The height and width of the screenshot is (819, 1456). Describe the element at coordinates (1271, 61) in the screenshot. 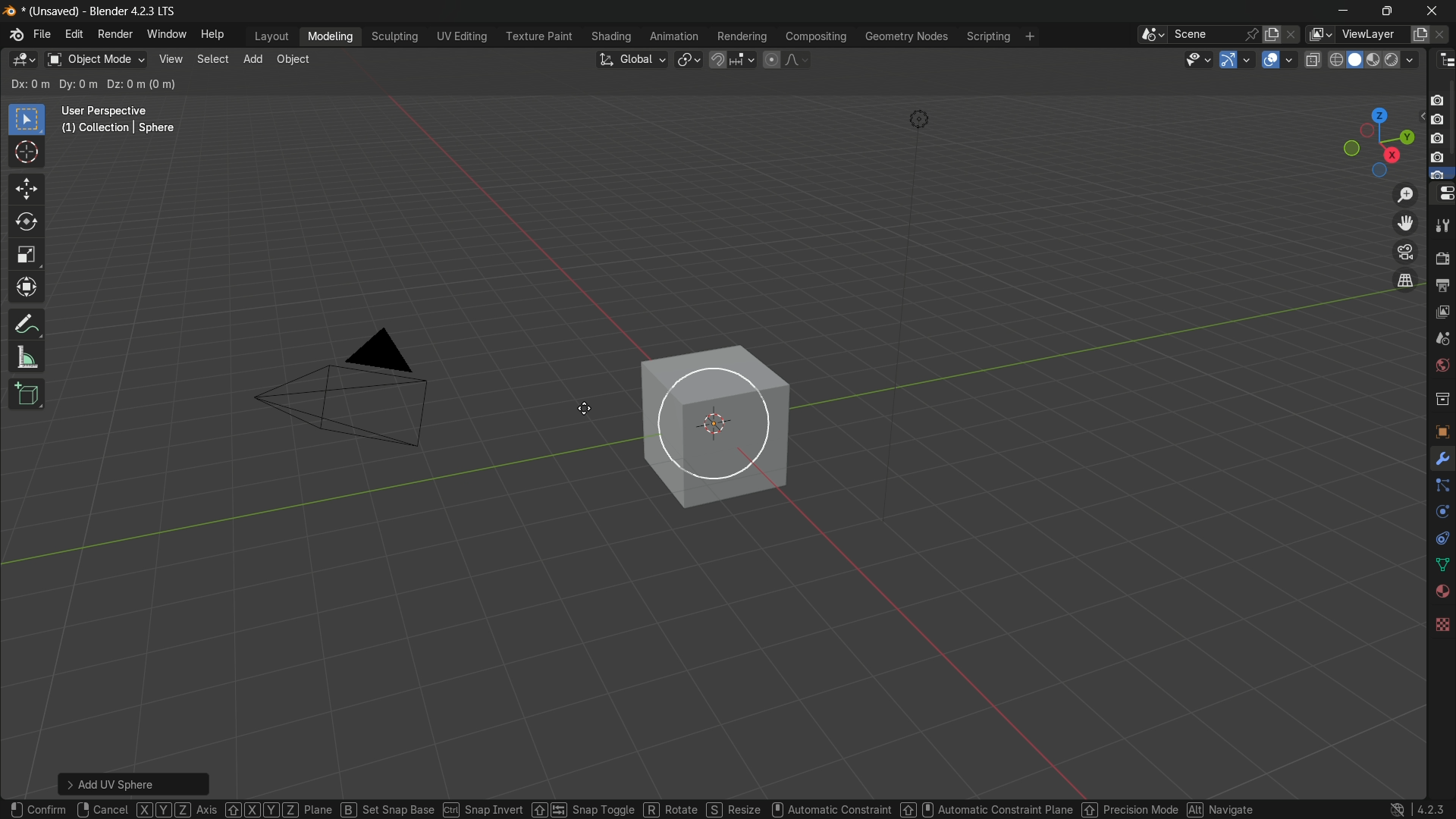

I see `show overlay` at that location.